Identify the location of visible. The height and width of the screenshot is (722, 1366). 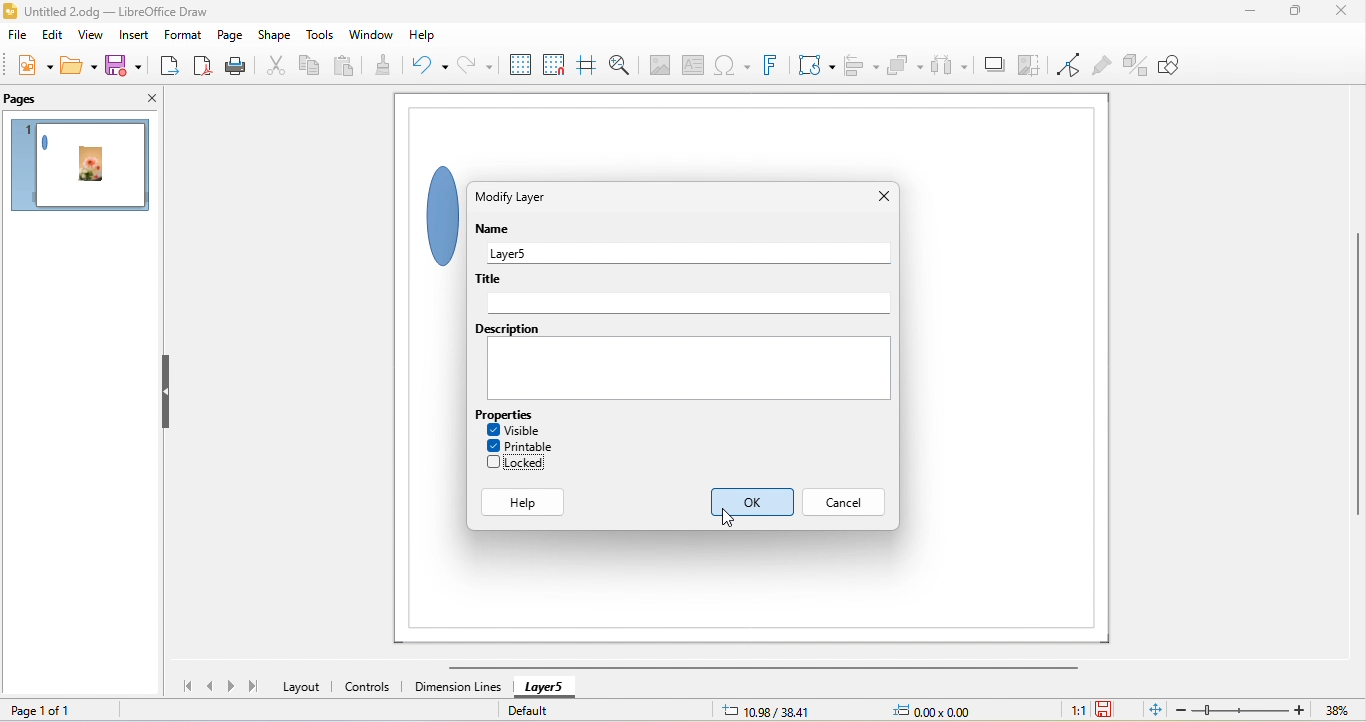
(514, 430).